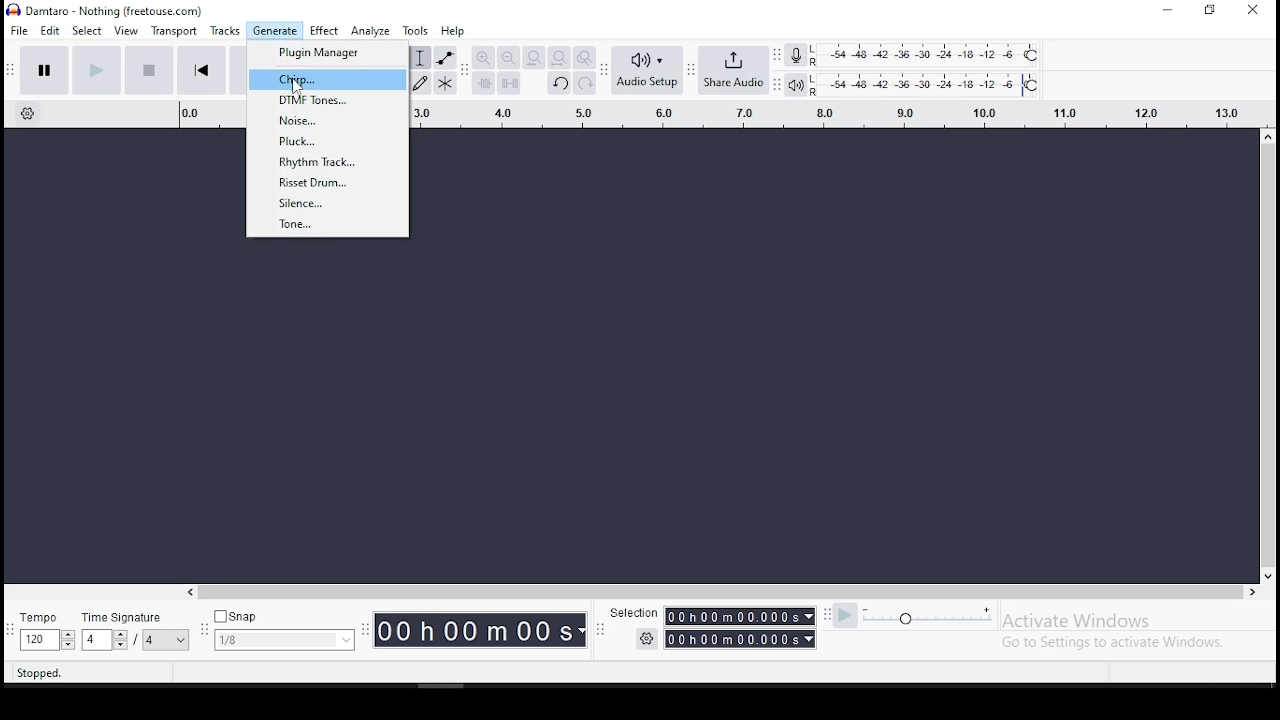  Describe the element at coordinates (201, 632) in the screenshot. I see `show menus` at that location.